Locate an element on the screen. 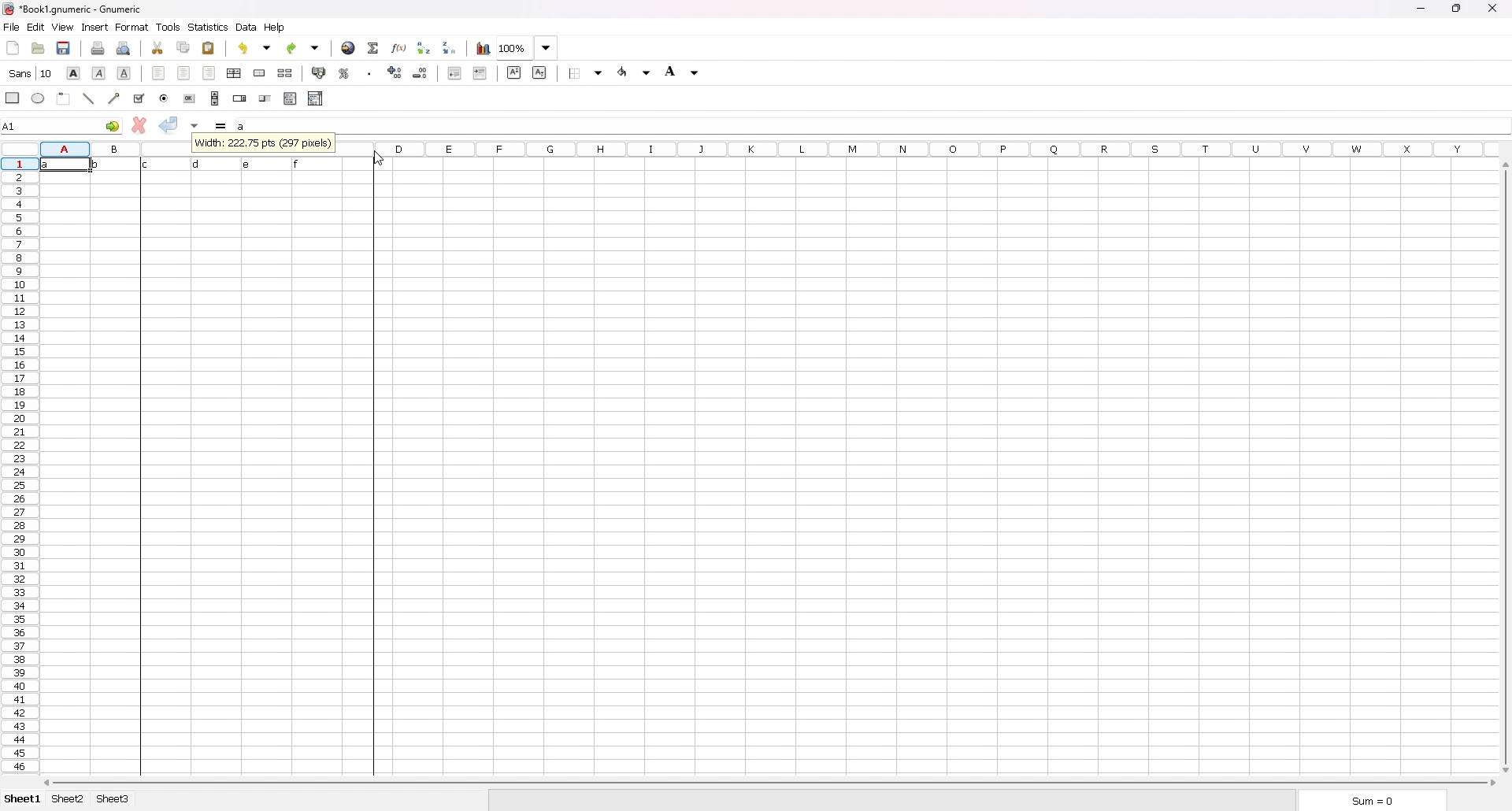 This screenshot has height=811, width=1512. formula is located at coordinates (222, 126).